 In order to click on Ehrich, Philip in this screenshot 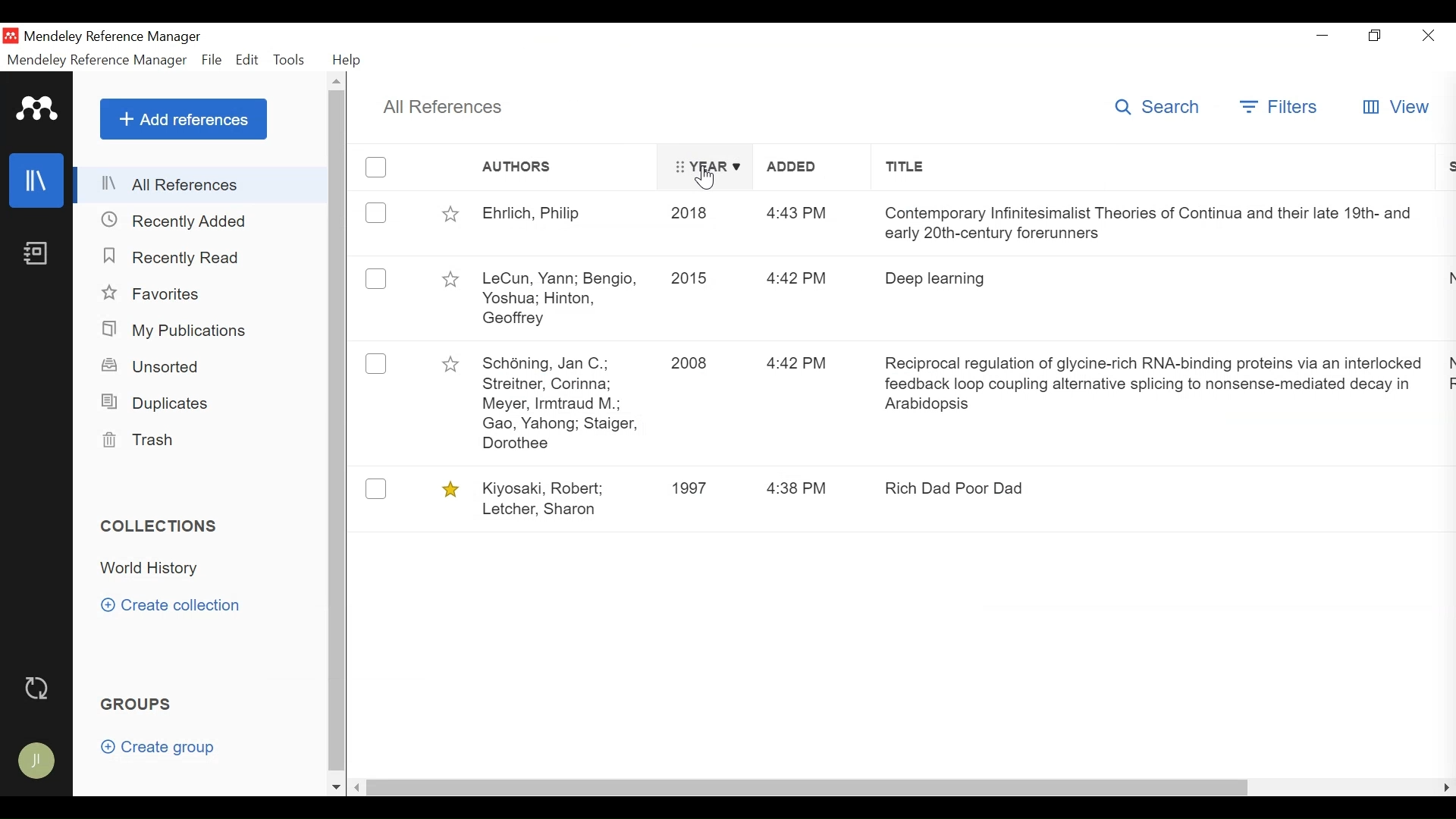, I will do `click(565, 216)`.